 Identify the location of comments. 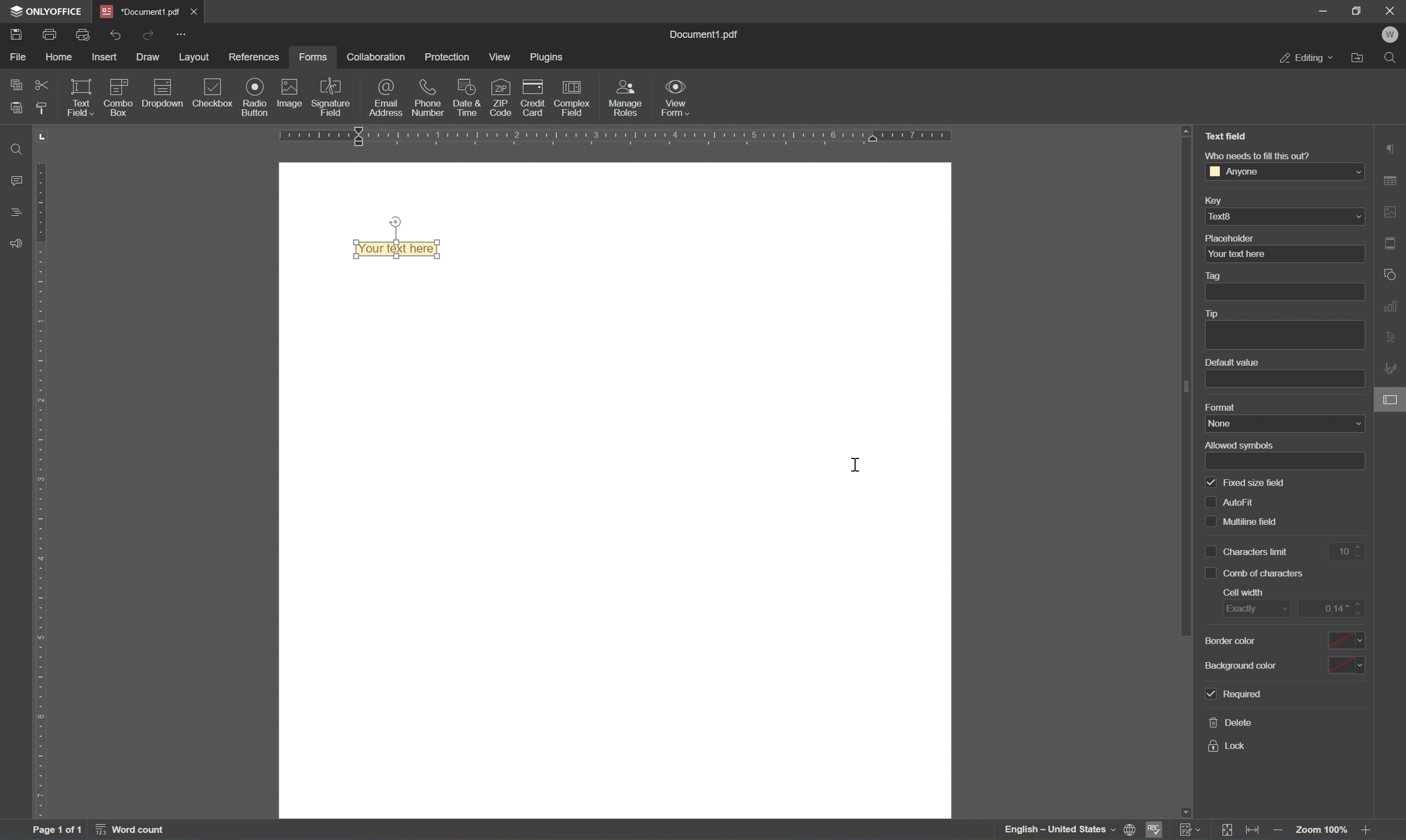
(17, 181).